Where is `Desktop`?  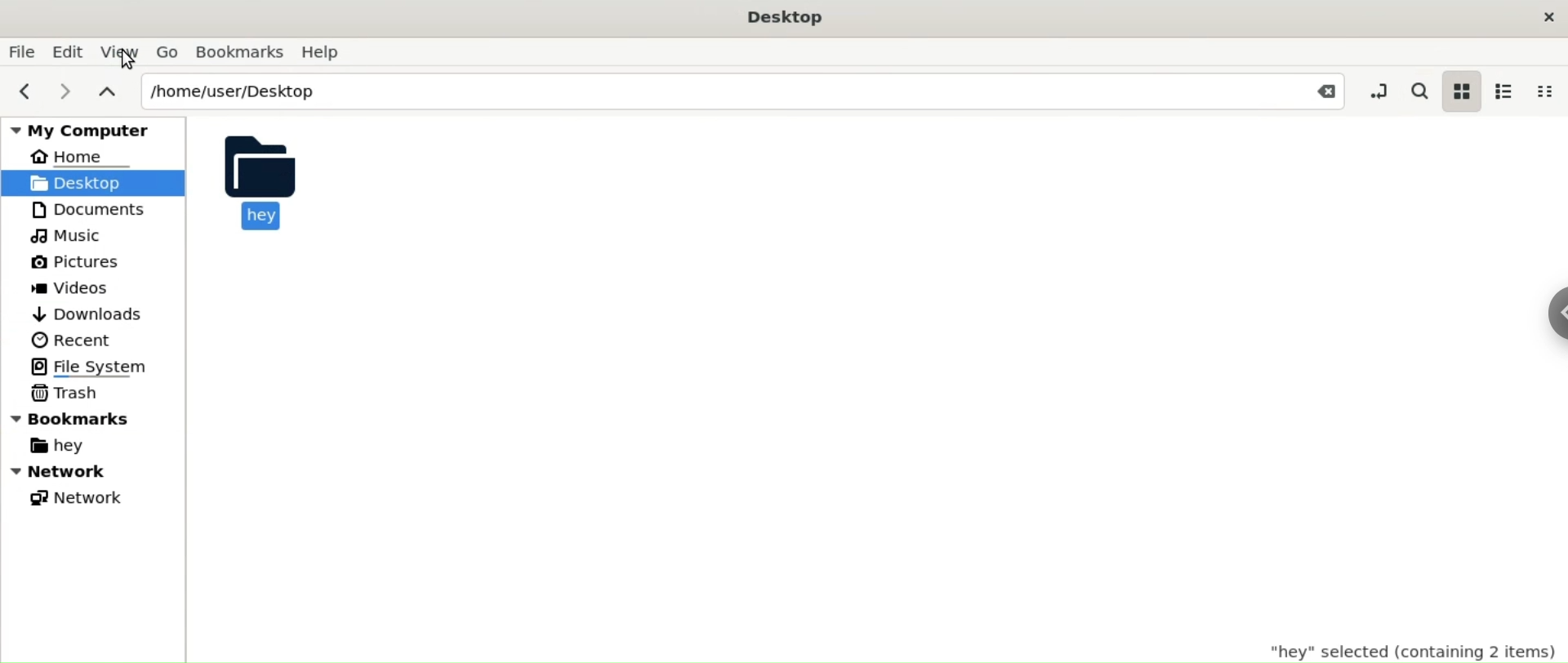
Desktop is located at coordinates (794, 20).